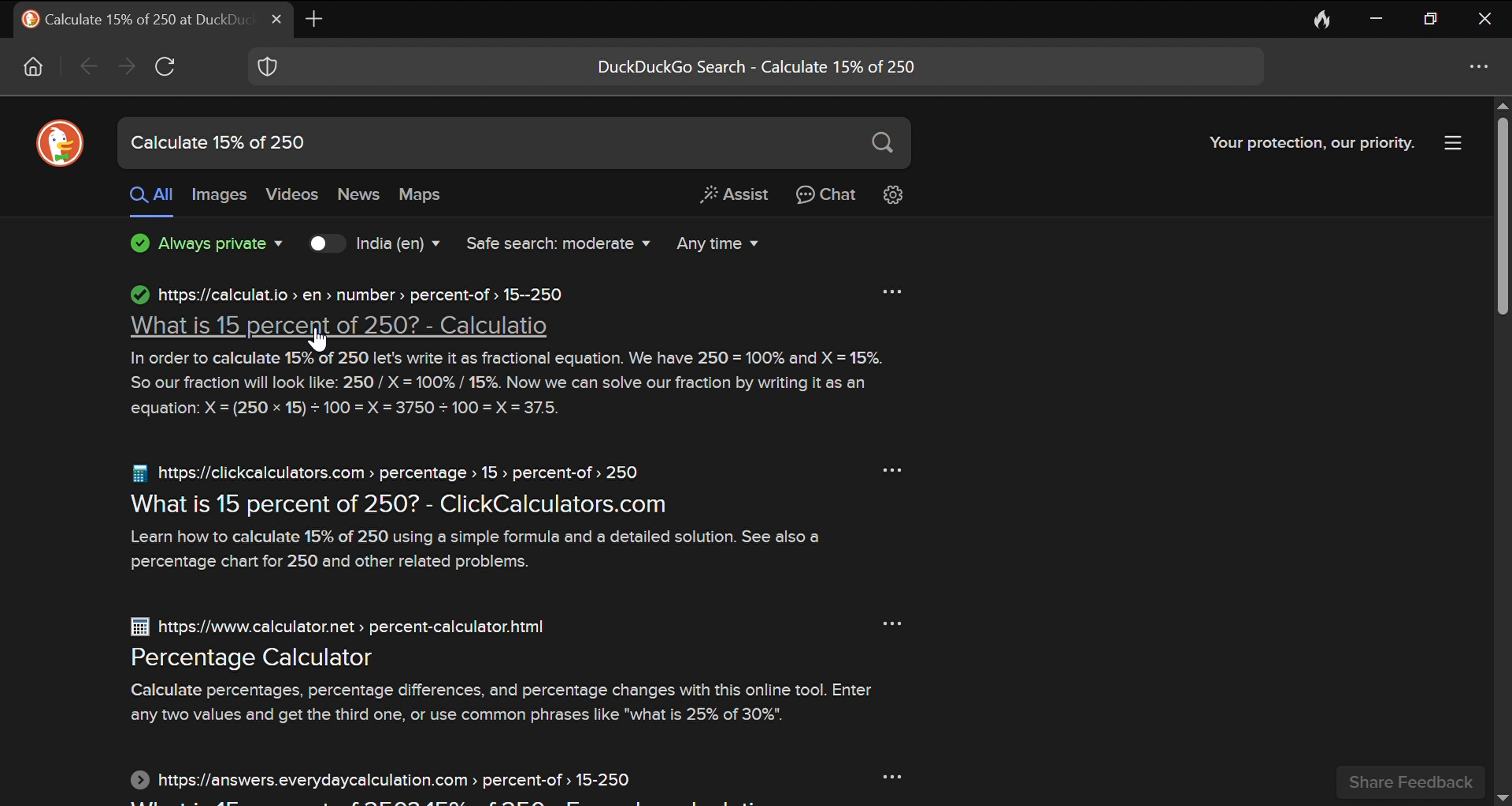 Image resolution: width=1512 pixels, height=806 pixels. Describe the element at coordinates (395, 142) in the screenshot. I see `Calculate 15% of 250` at that location.